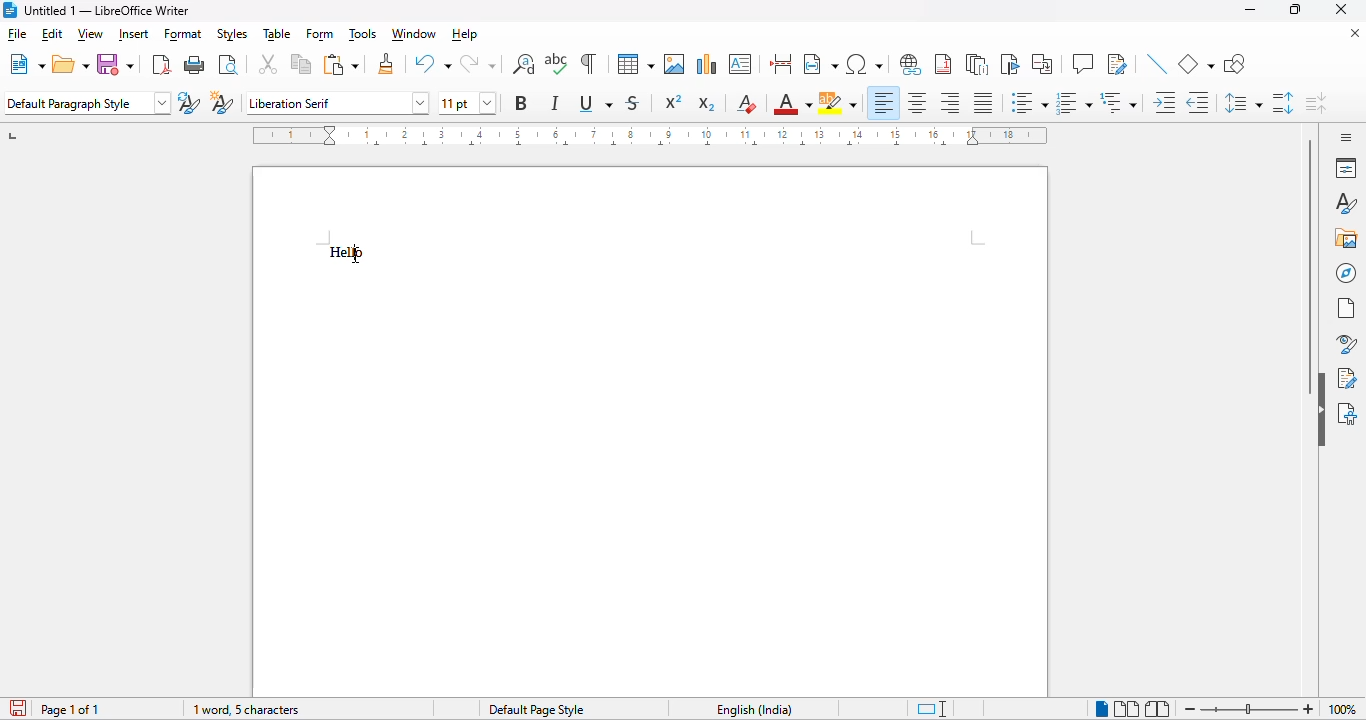 The image size is (1366, 720). I want to click on insert bookmark, so click(1012, 64).